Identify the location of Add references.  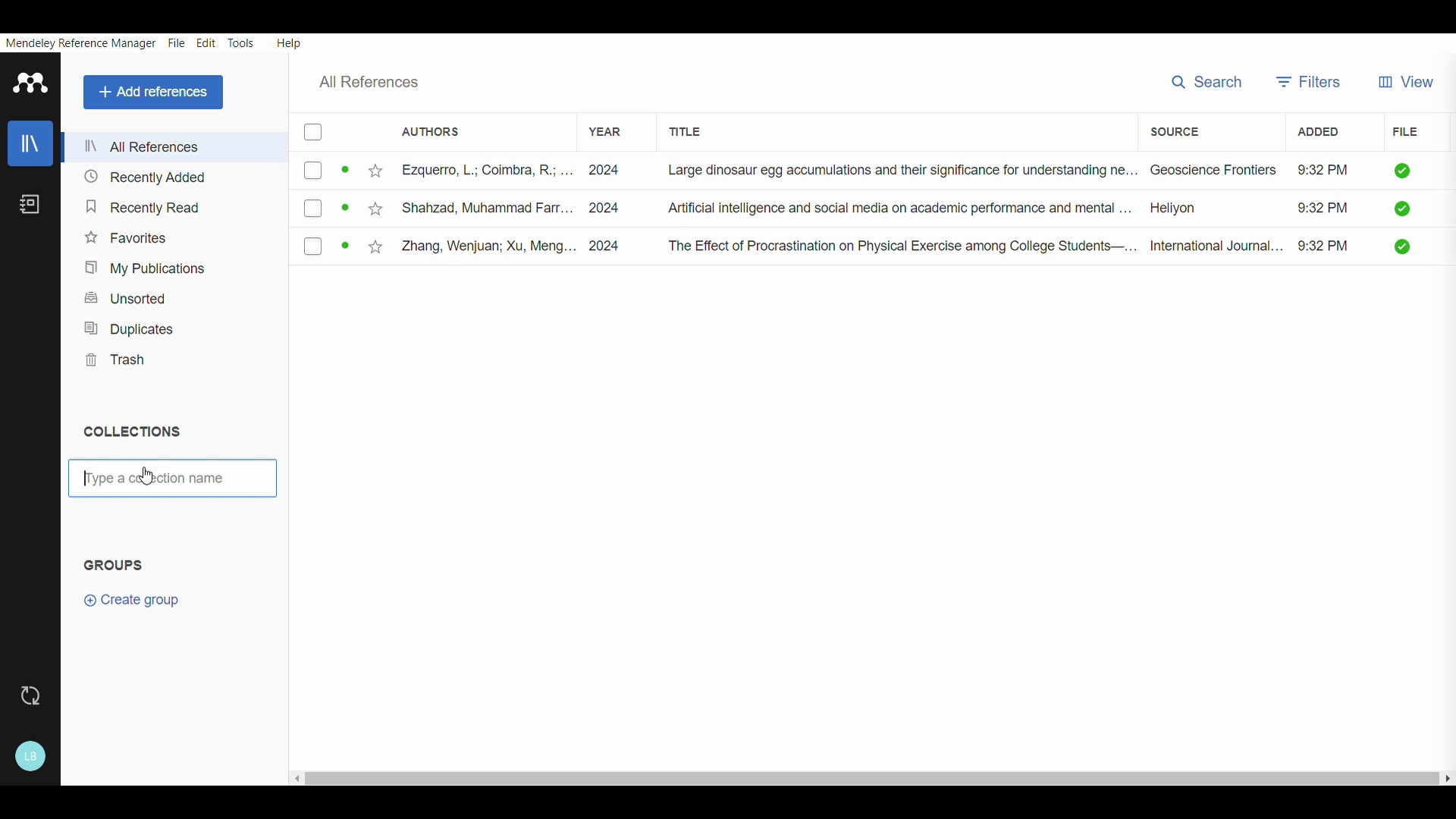
(151, 90).